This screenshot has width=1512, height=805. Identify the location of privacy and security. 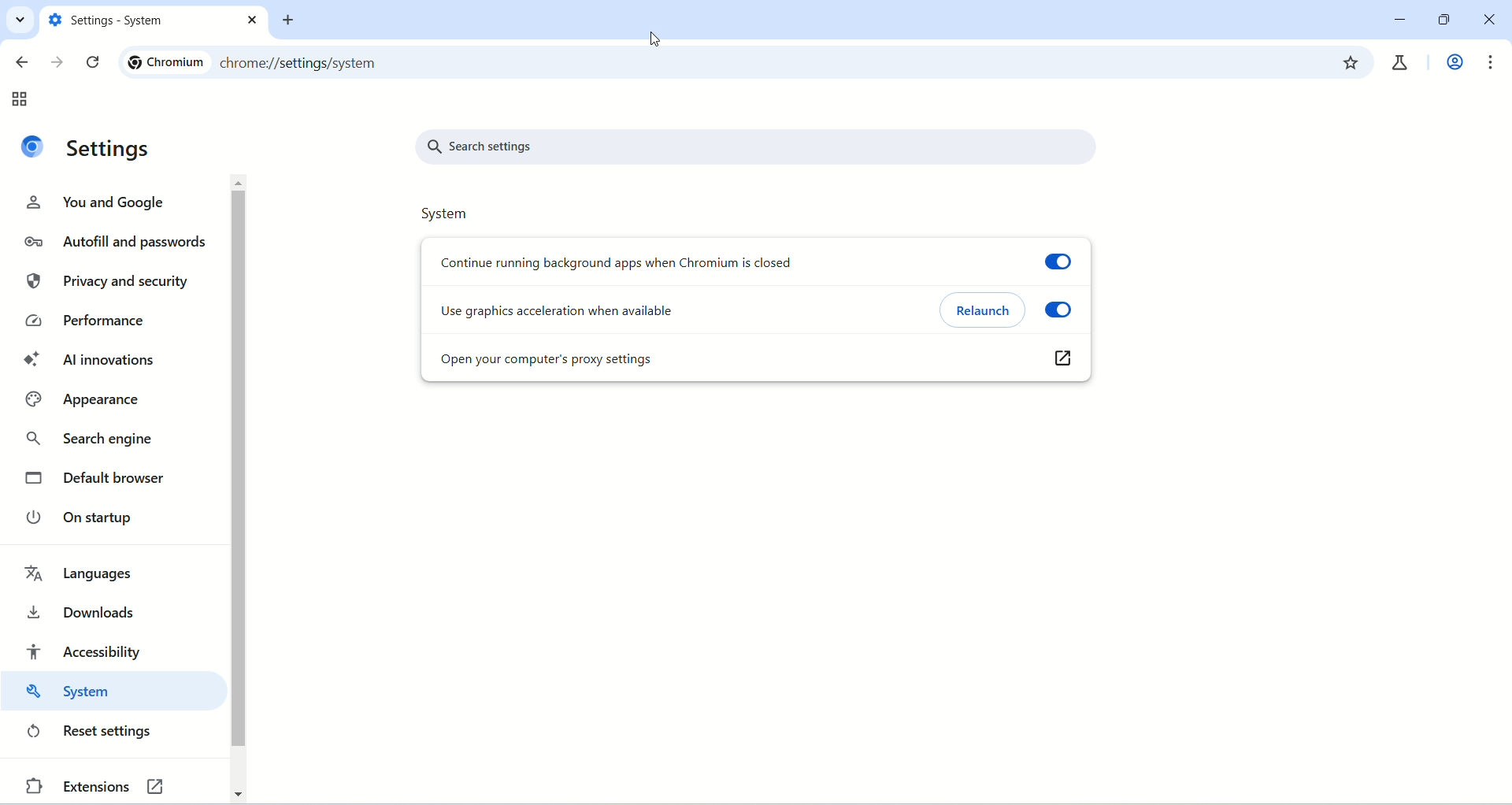
(106, 279).